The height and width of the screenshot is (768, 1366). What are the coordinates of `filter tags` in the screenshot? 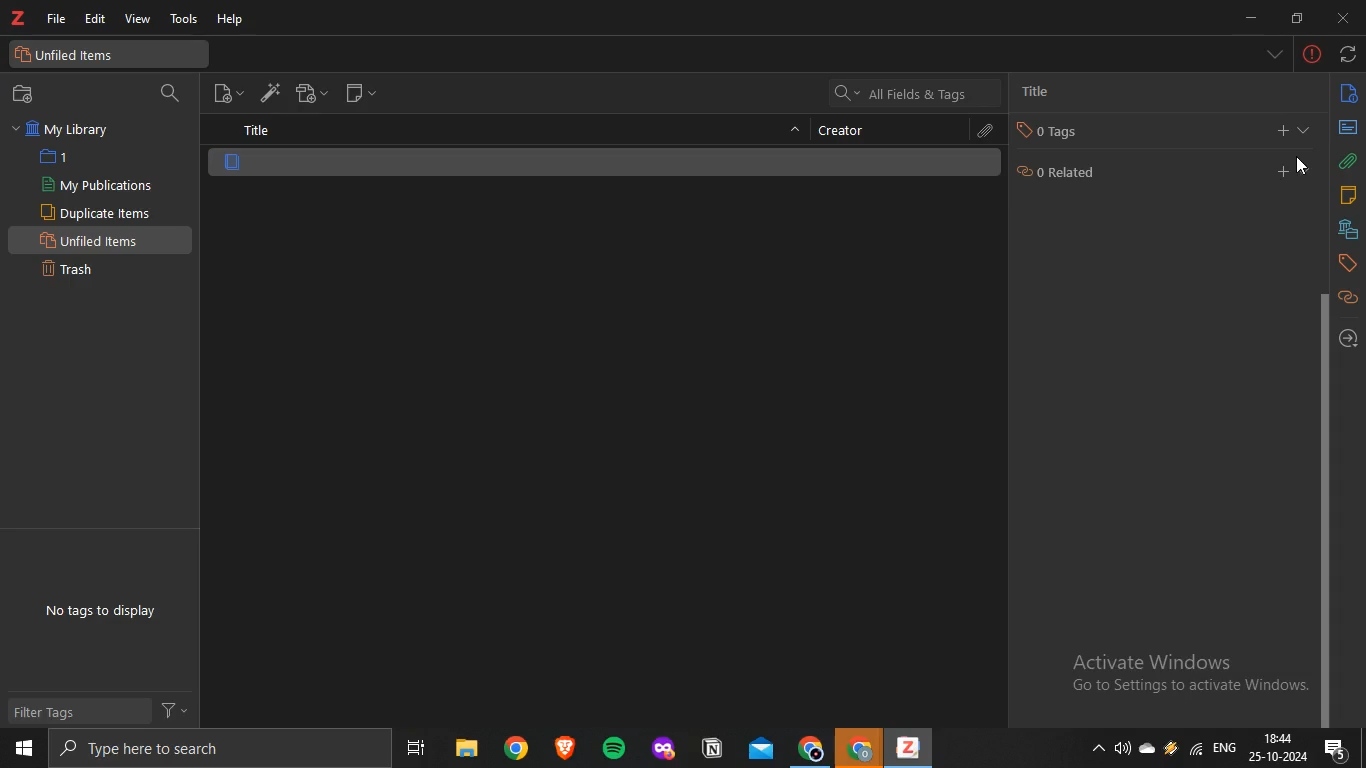 It's located at (101, 709).